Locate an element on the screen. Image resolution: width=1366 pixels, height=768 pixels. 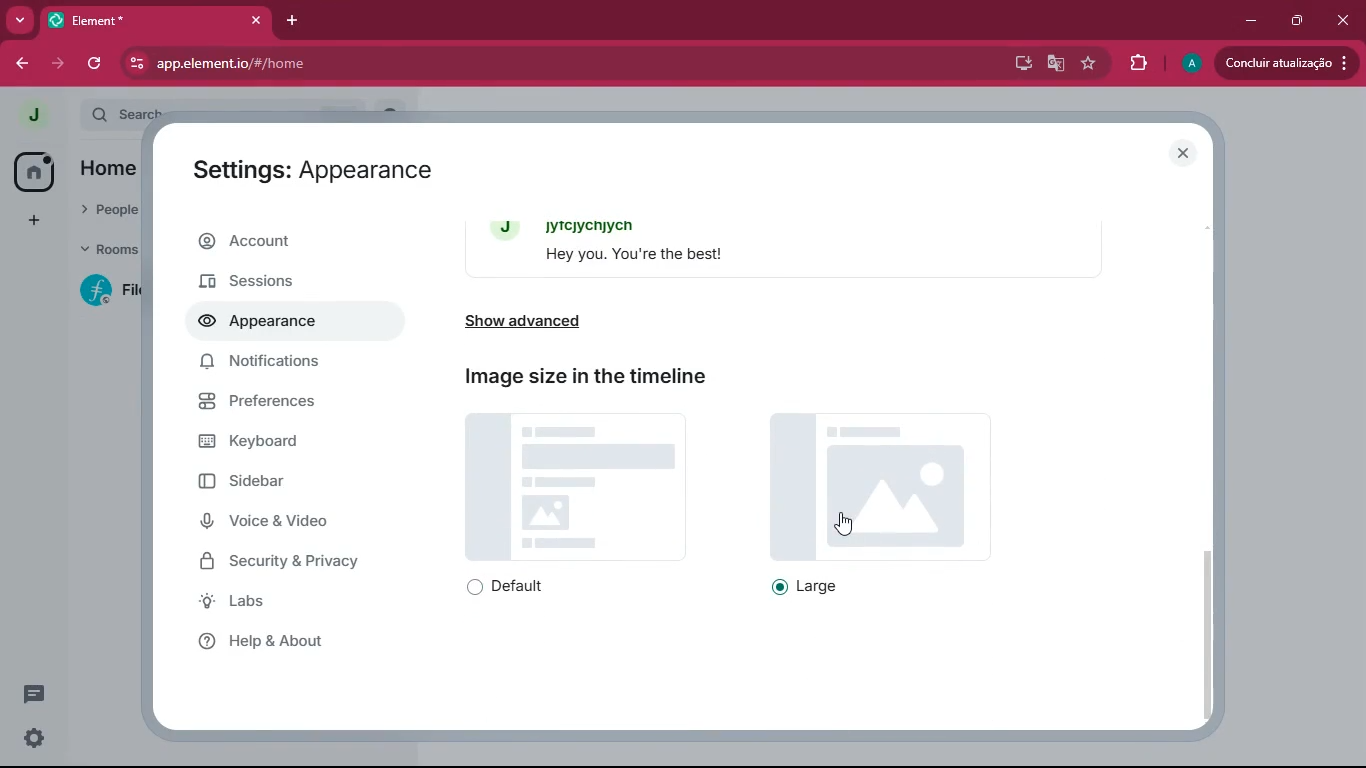
close is located at coordinates (1186, 154).